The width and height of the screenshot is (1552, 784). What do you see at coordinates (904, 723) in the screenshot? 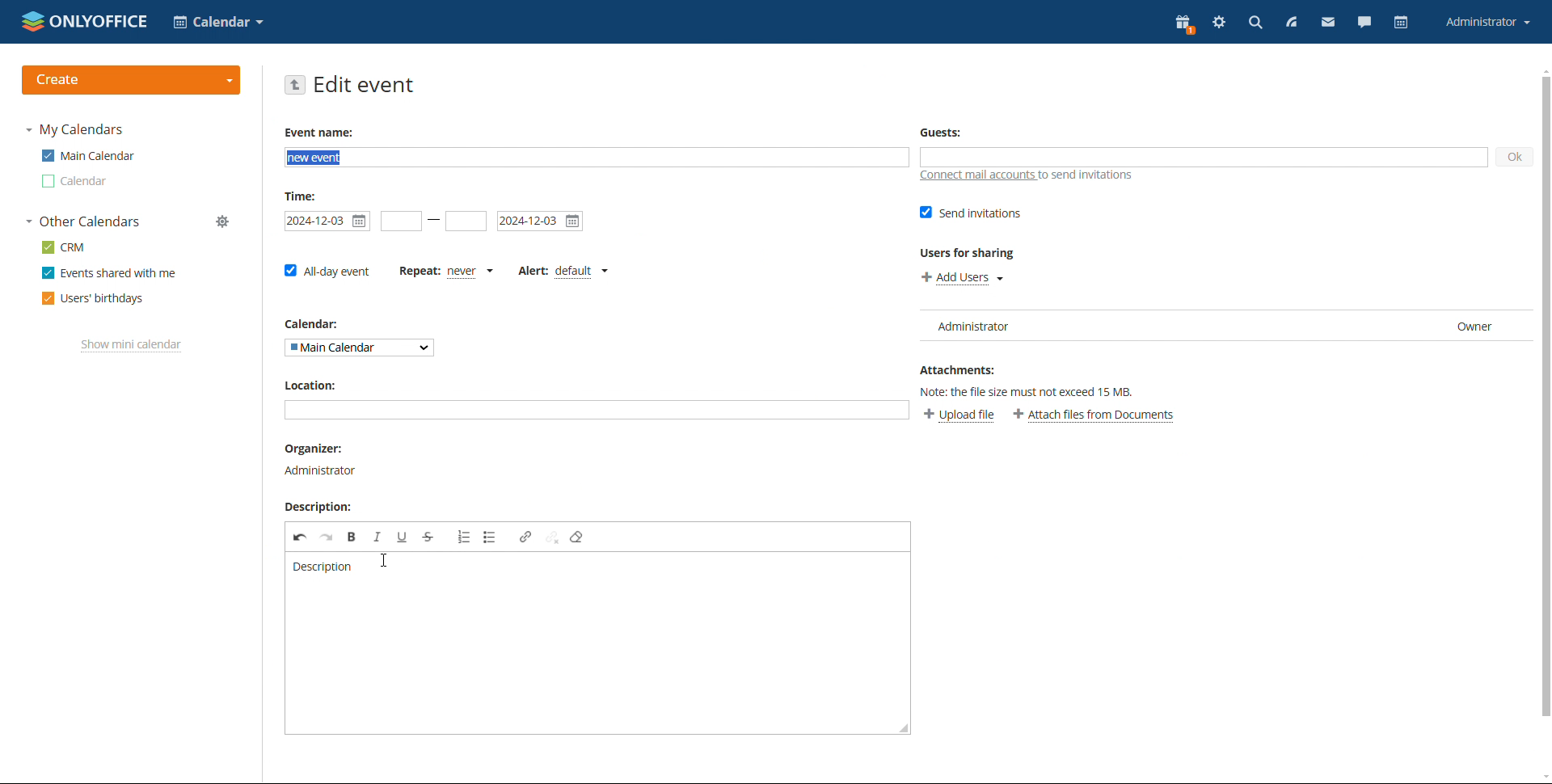
I see `resize` at bounding box center [904, 723].